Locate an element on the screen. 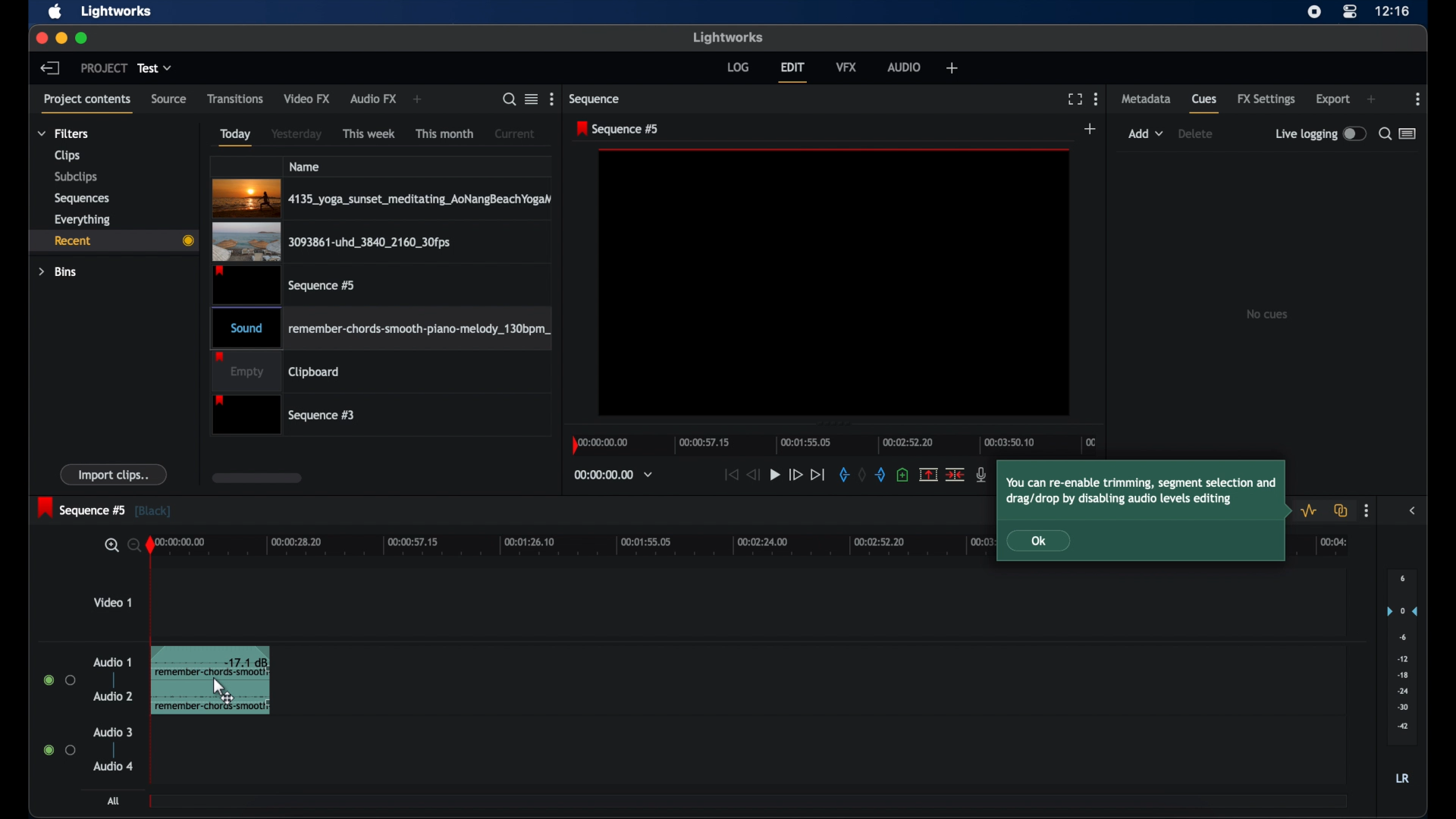 This screenshot has height=819, width=1456. live logging is located at coordinates (1320, 134).